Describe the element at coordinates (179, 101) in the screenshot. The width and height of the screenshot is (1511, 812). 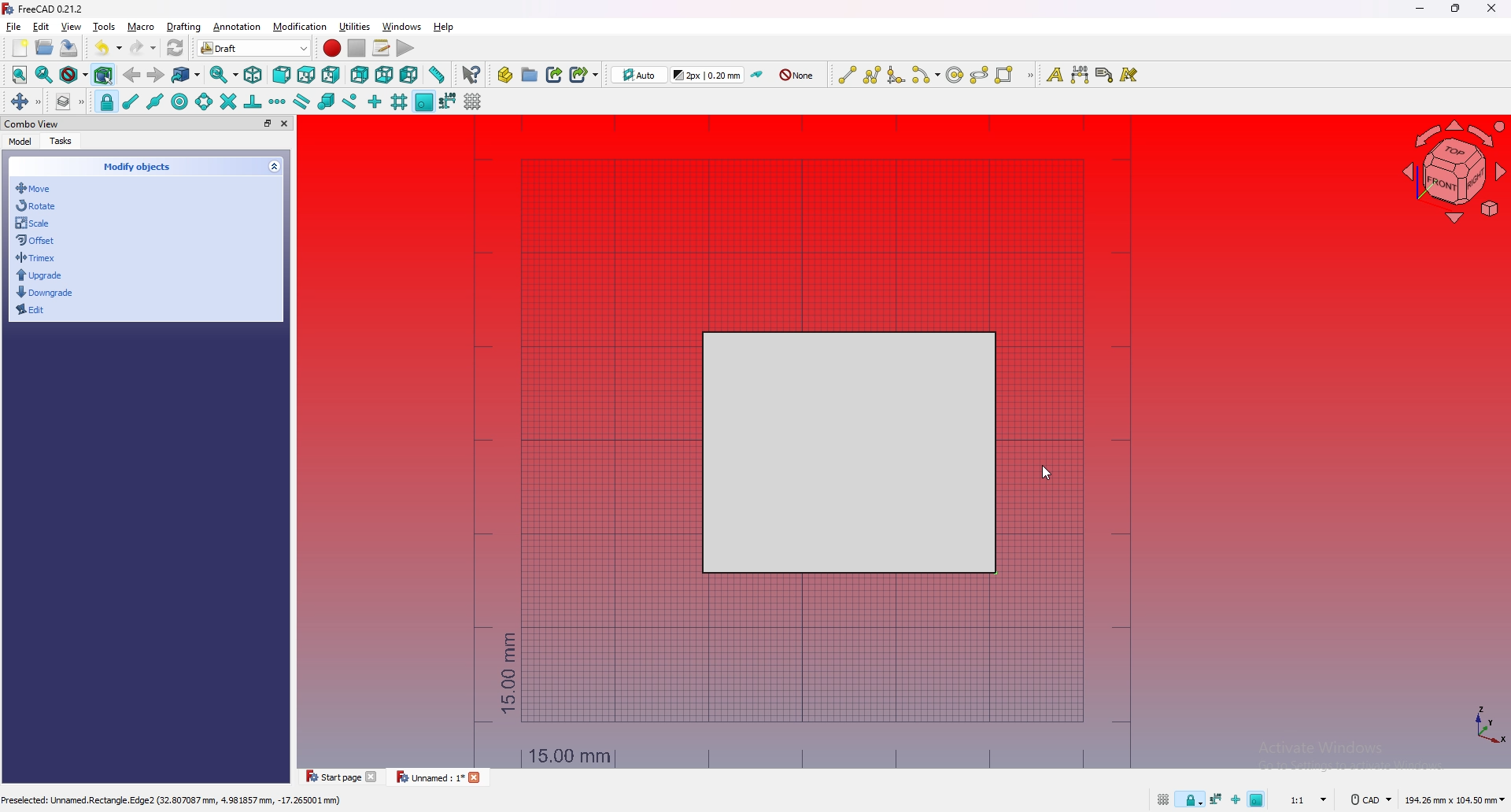
I see `snap center` at that location.